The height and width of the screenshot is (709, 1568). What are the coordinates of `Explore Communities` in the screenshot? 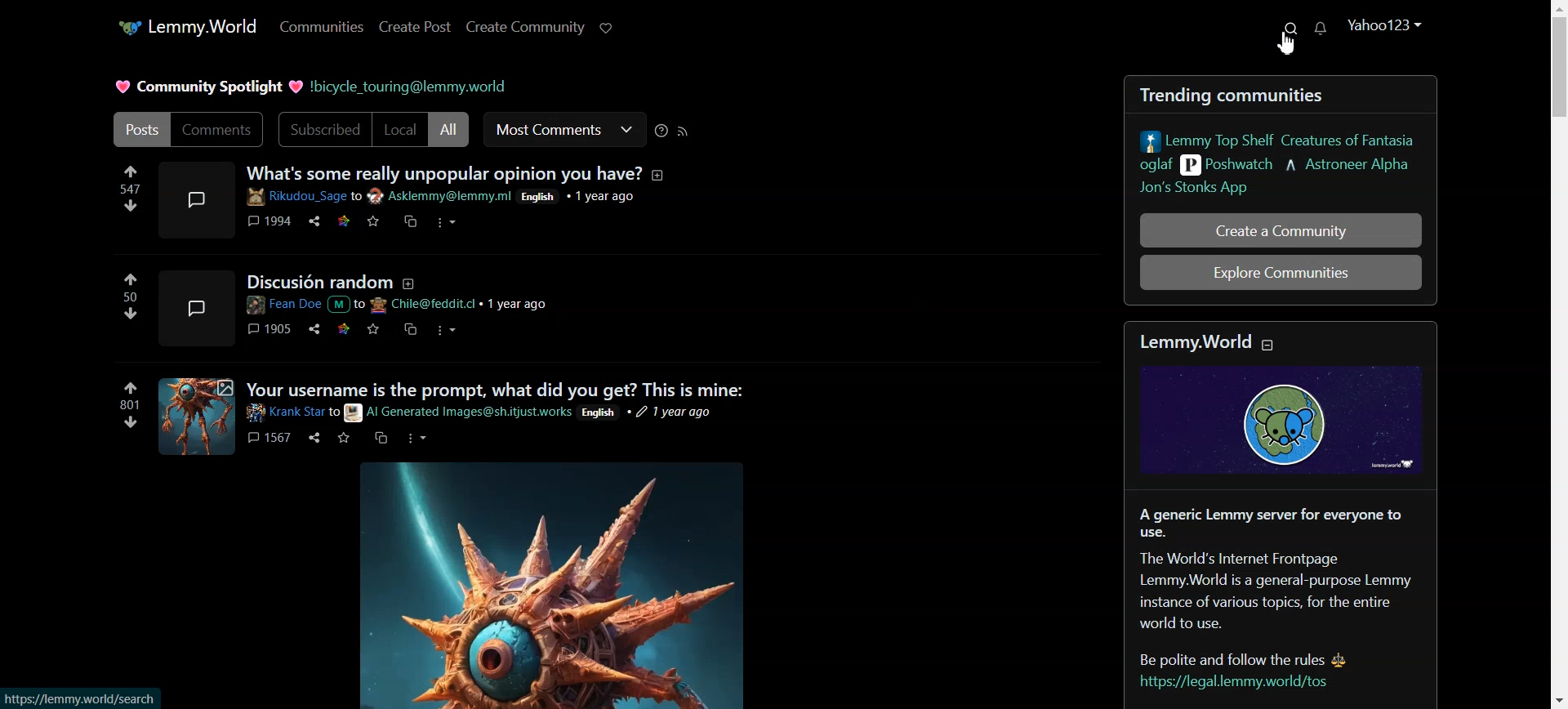 It's located at (1281, 271).